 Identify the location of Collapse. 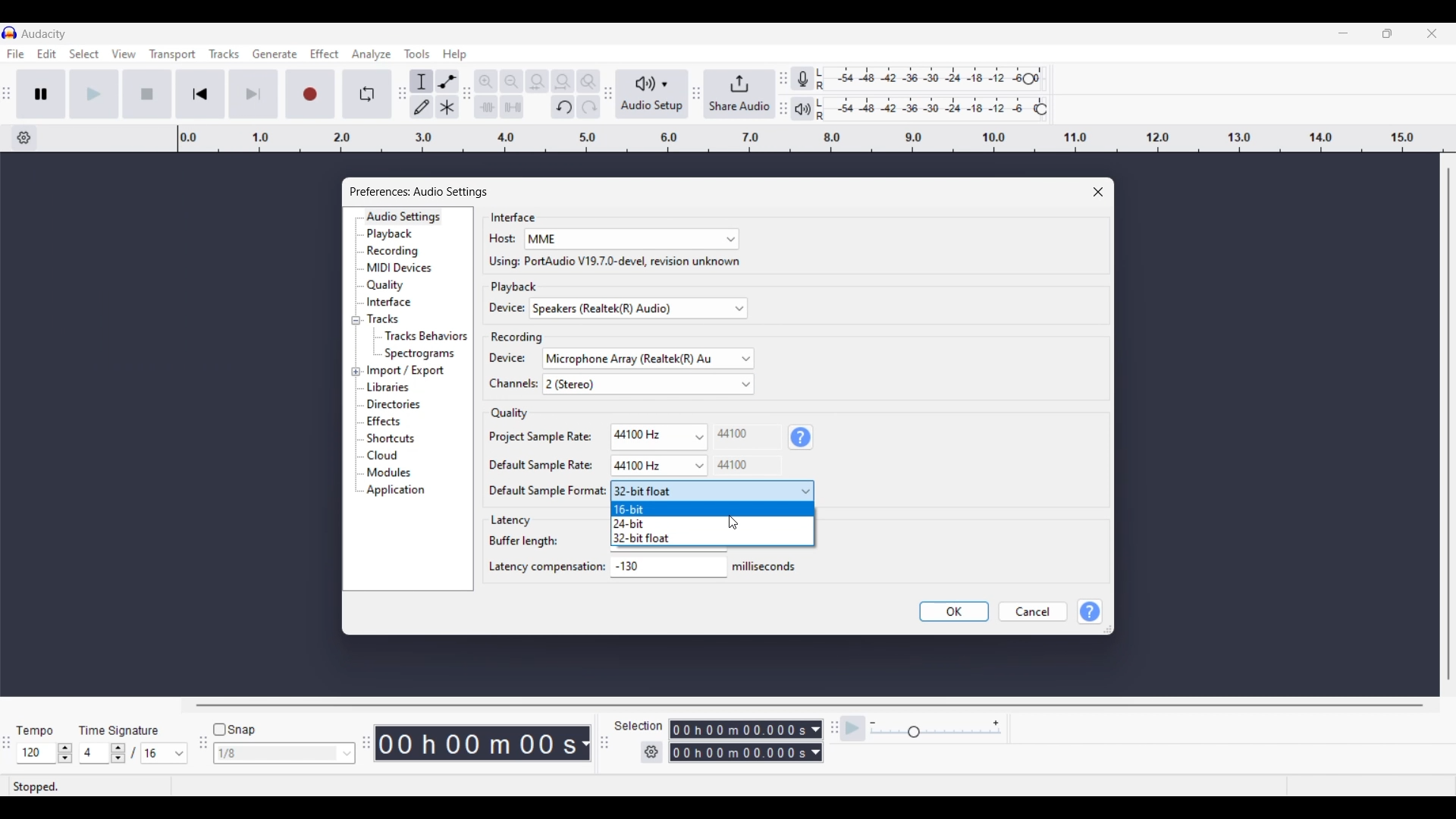
(356, 321).